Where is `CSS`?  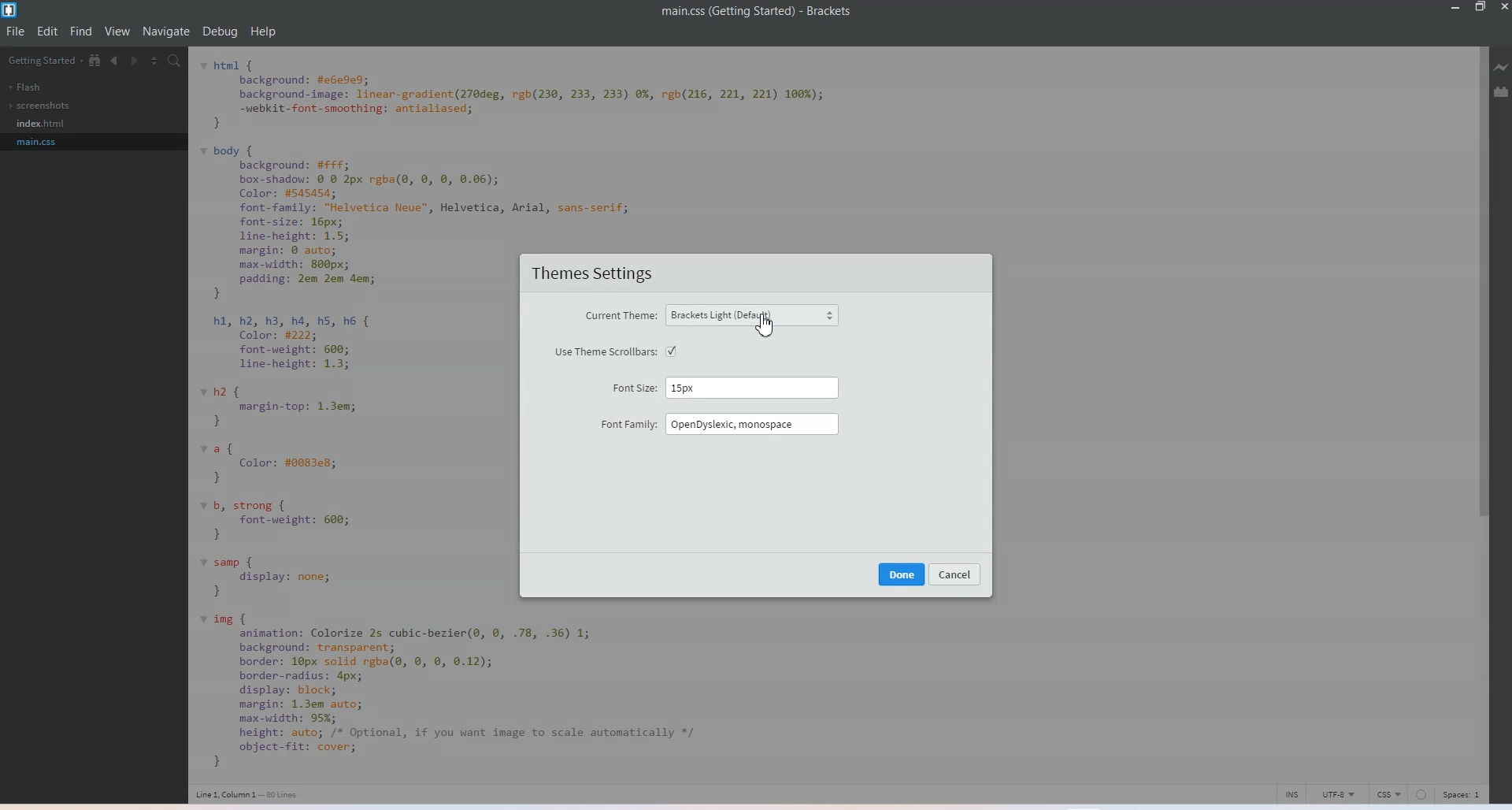 CSS is located at coordinates (1389, 793).